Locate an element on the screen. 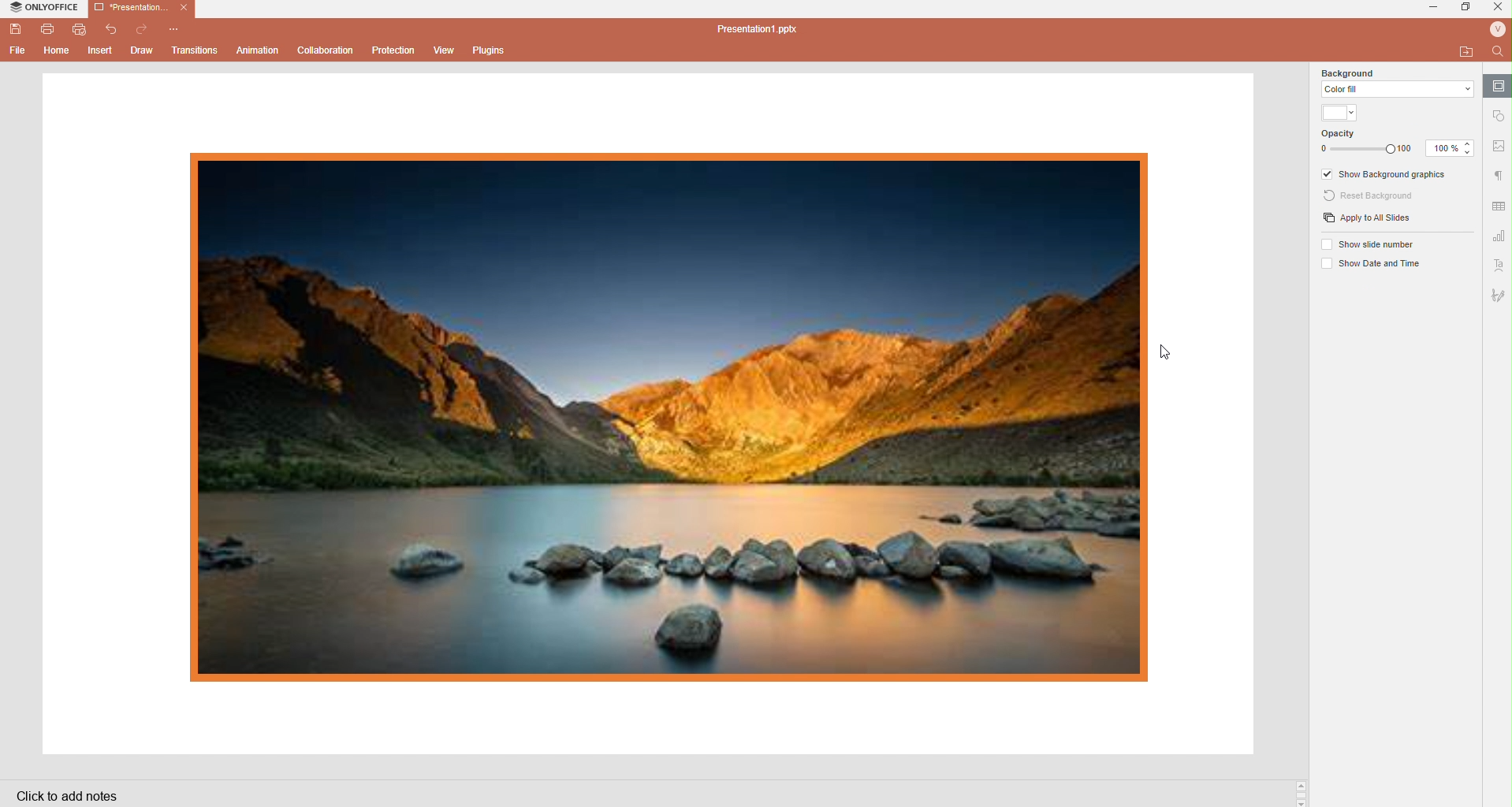  Show slide number is located at coordinates (1376, 246).